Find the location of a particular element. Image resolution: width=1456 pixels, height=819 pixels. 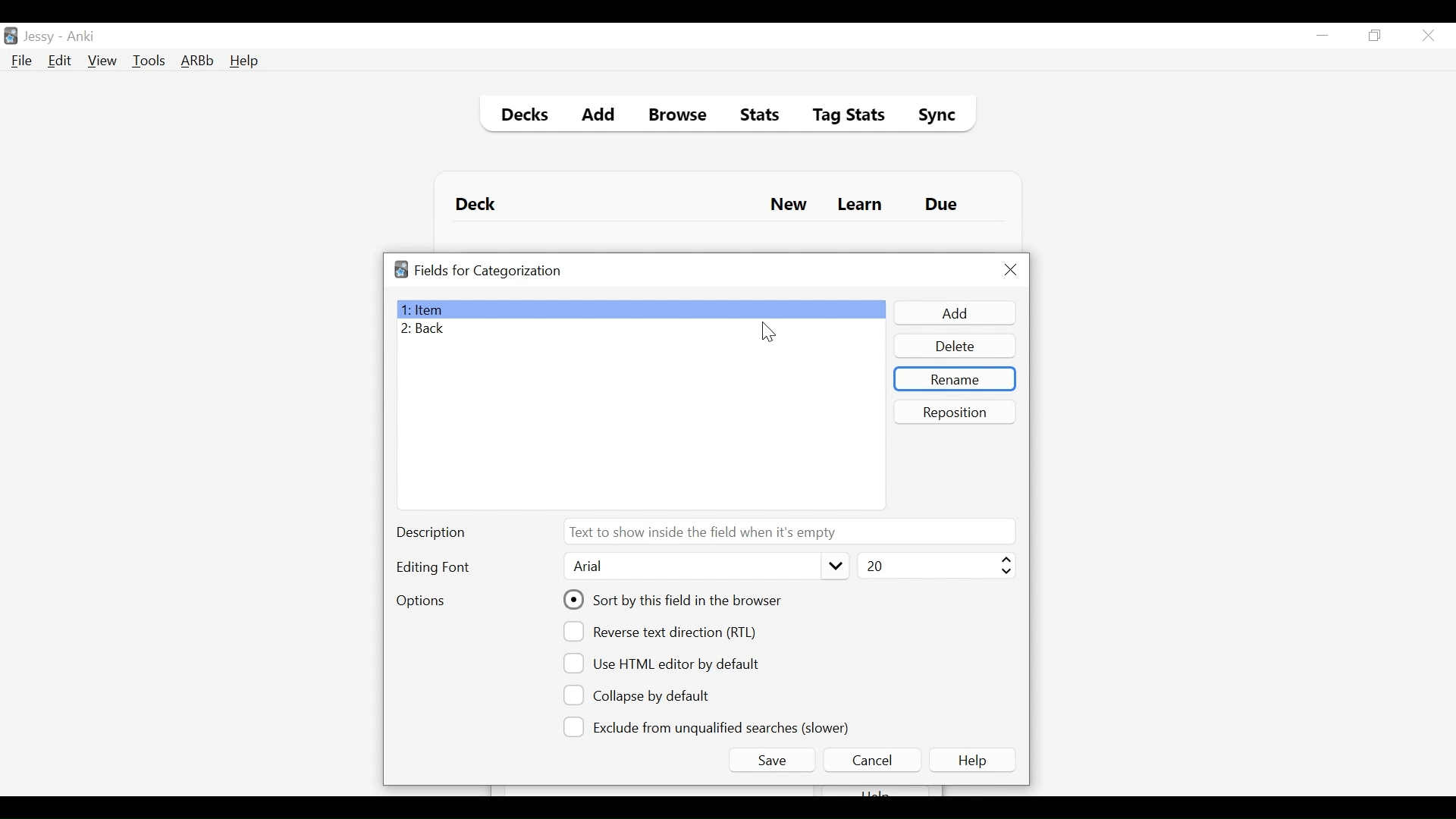

Help is located at coordinates (975, 760).